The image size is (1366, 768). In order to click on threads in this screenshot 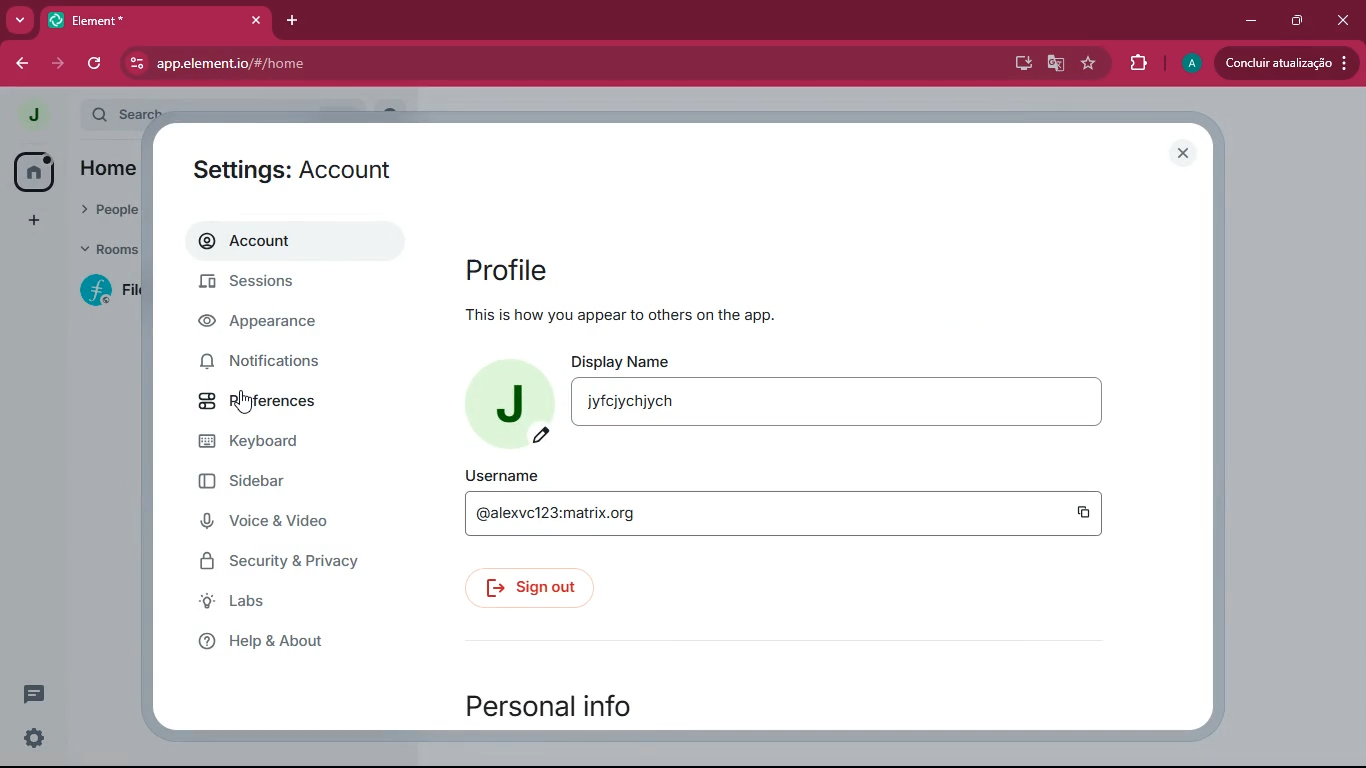, I will do `click(34, 694)`.